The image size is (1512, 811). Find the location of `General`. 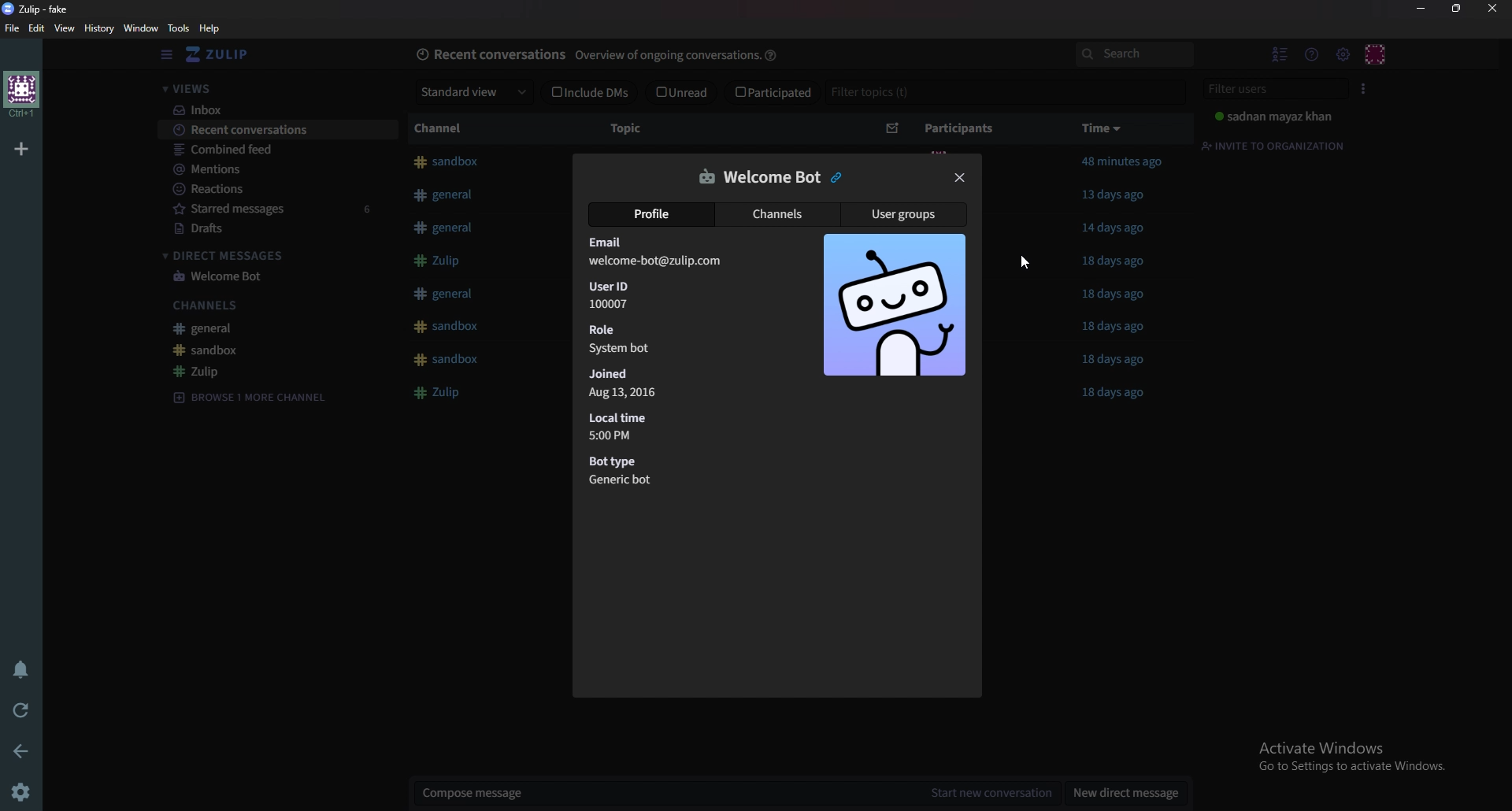

General is located at coordinates (283, 328).